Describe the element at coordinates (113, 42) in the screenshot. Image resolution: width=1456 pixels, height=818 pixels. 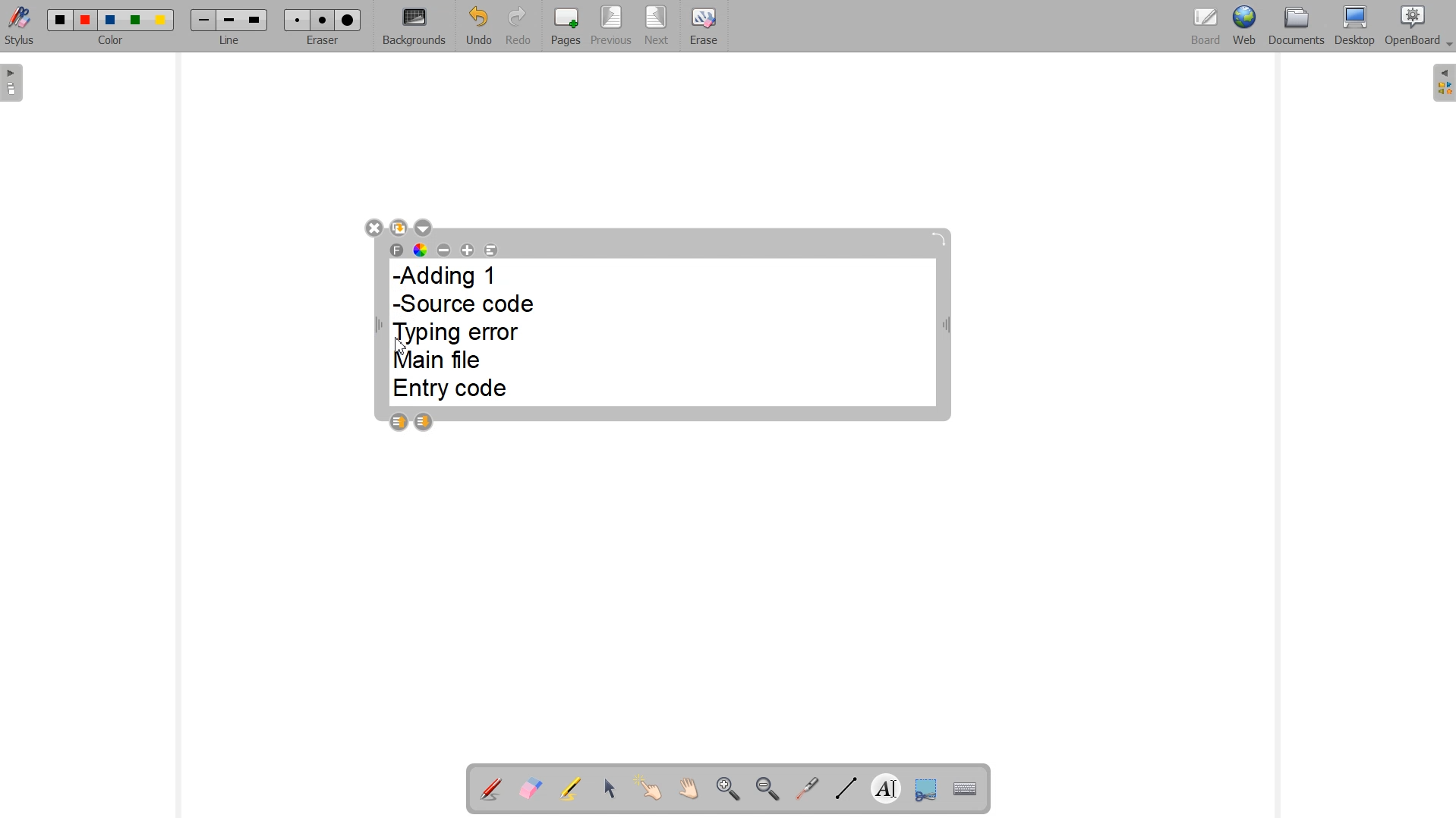
I see `Color` at that location.